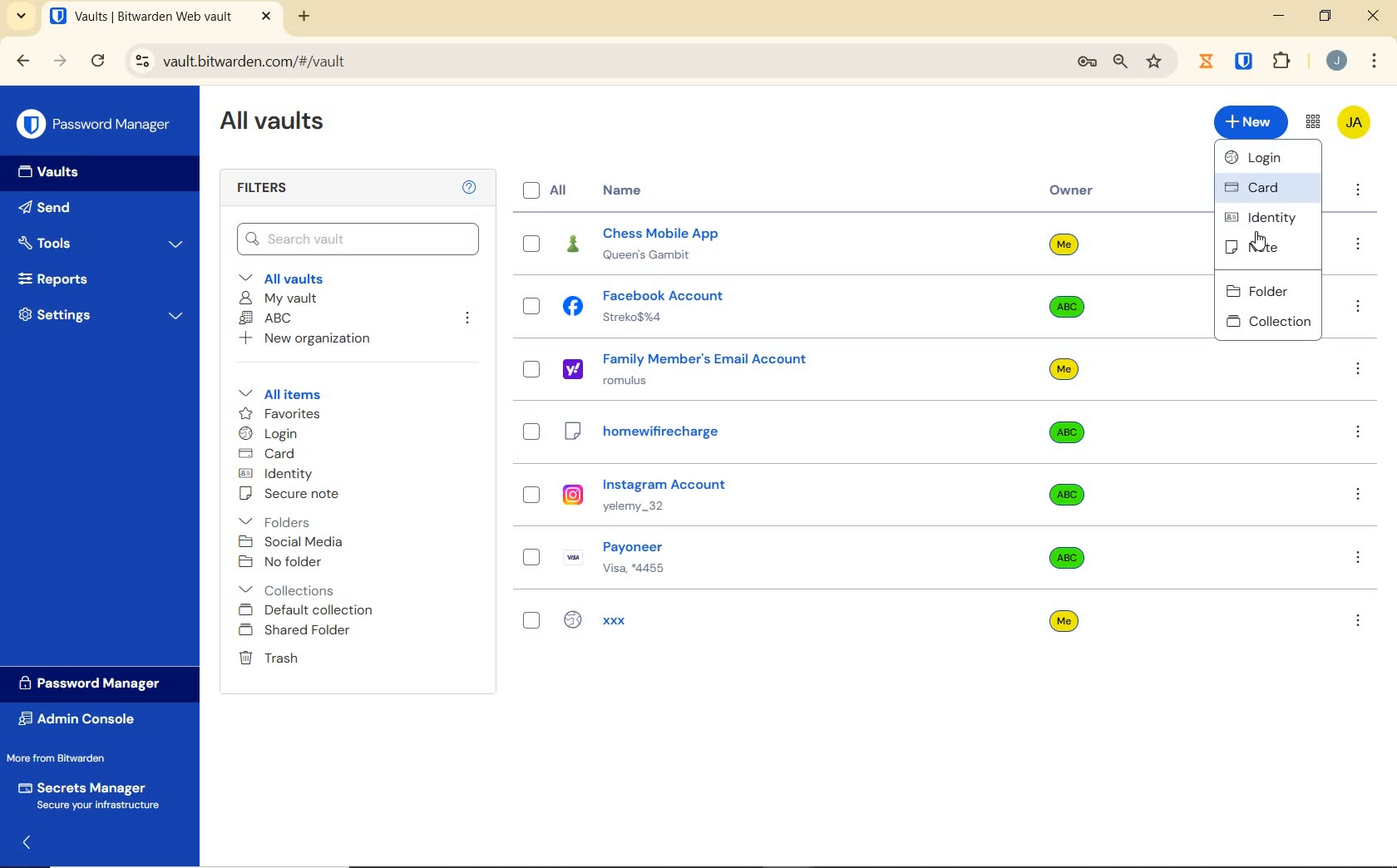  What do you see at coordinates (57, 174) in the screenshot?
I see `Vaults` at bounding box center [57, 174].